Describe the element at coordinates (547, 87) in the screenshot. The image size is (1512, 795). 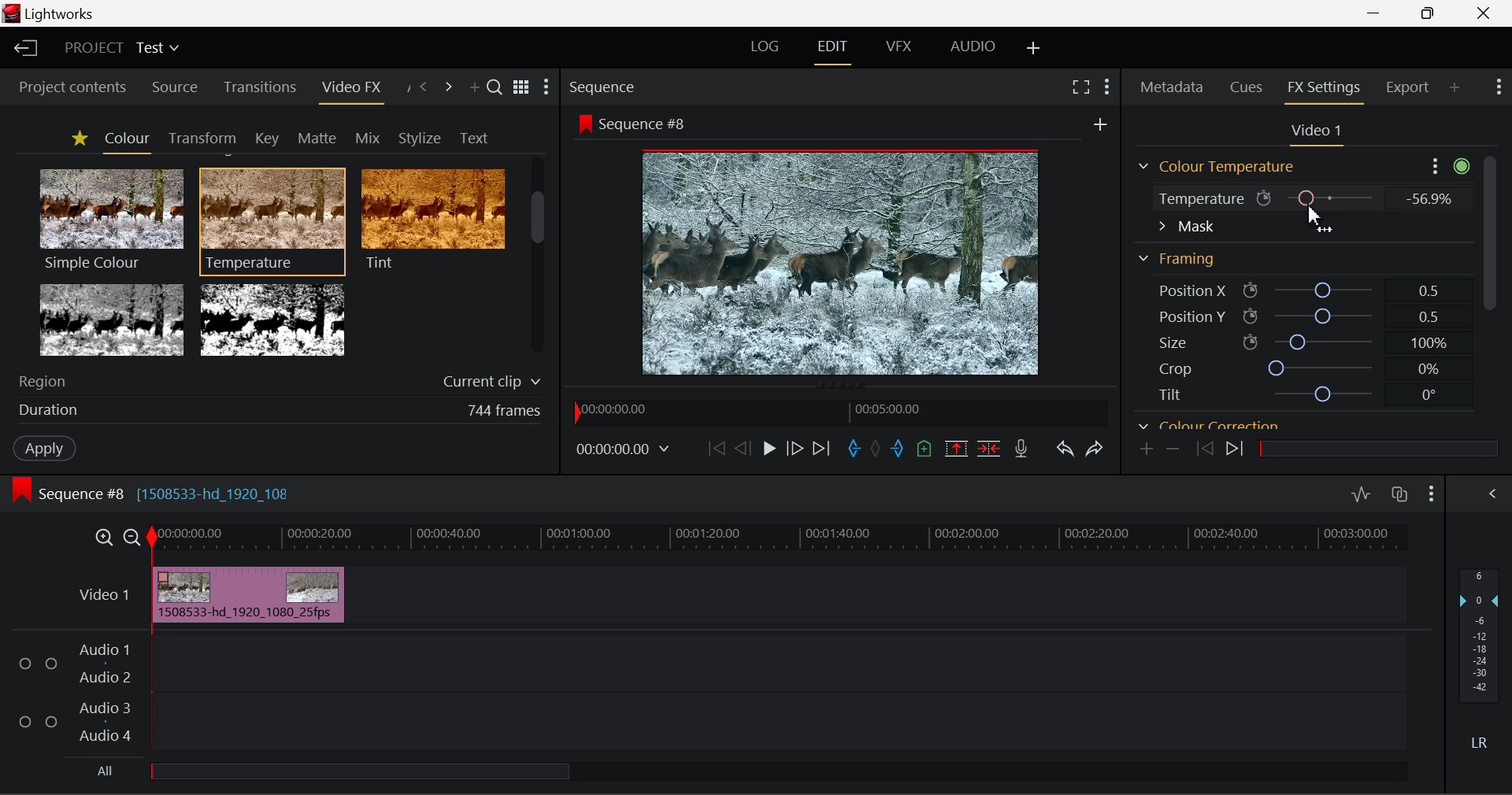
I see `Show Settings` at that location.